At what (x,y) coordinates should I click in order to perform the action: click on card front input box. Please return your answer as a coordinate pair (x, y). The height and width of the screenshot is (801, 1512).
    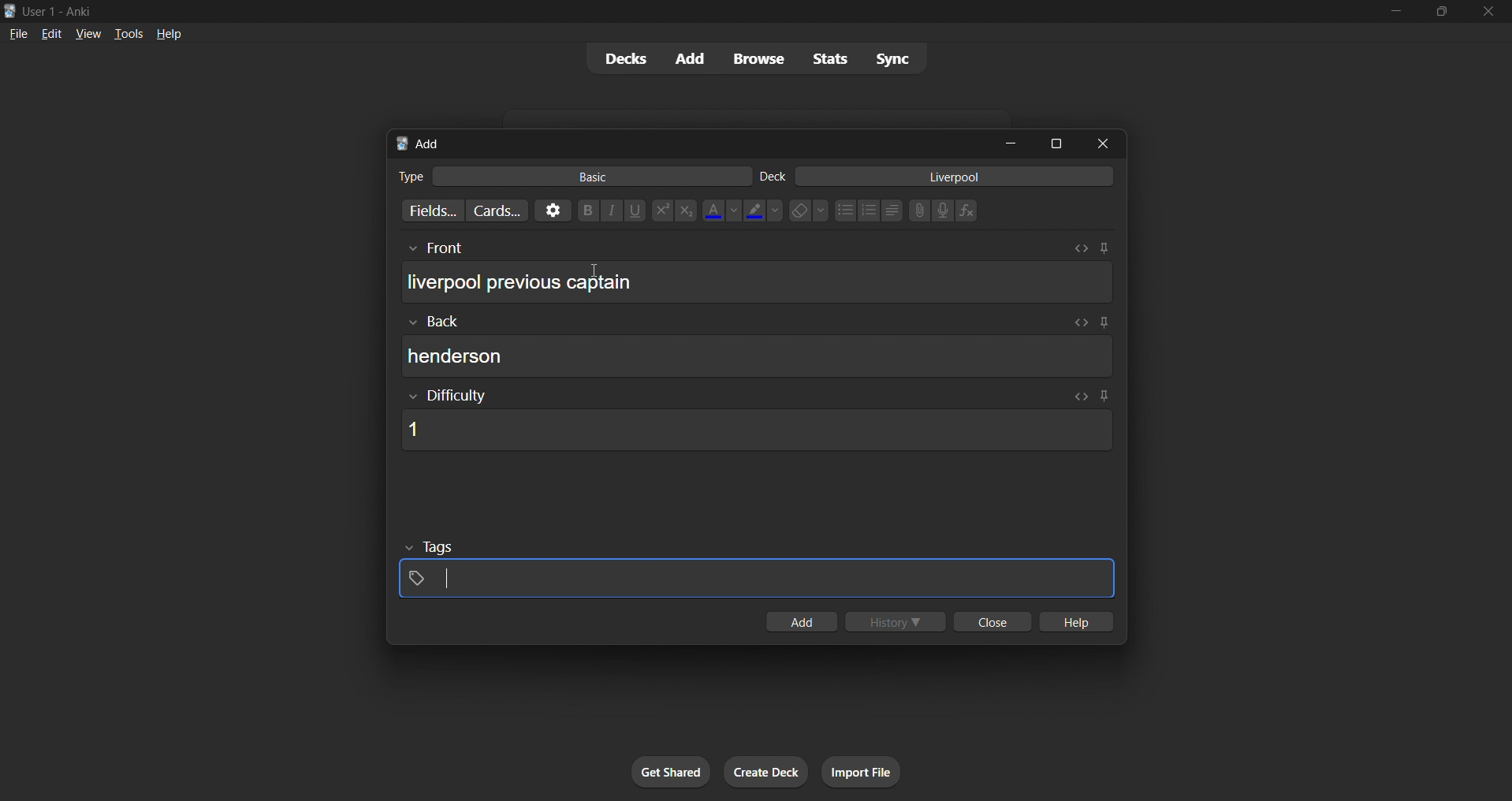
    Looking at the image, I should click on (757, 277).